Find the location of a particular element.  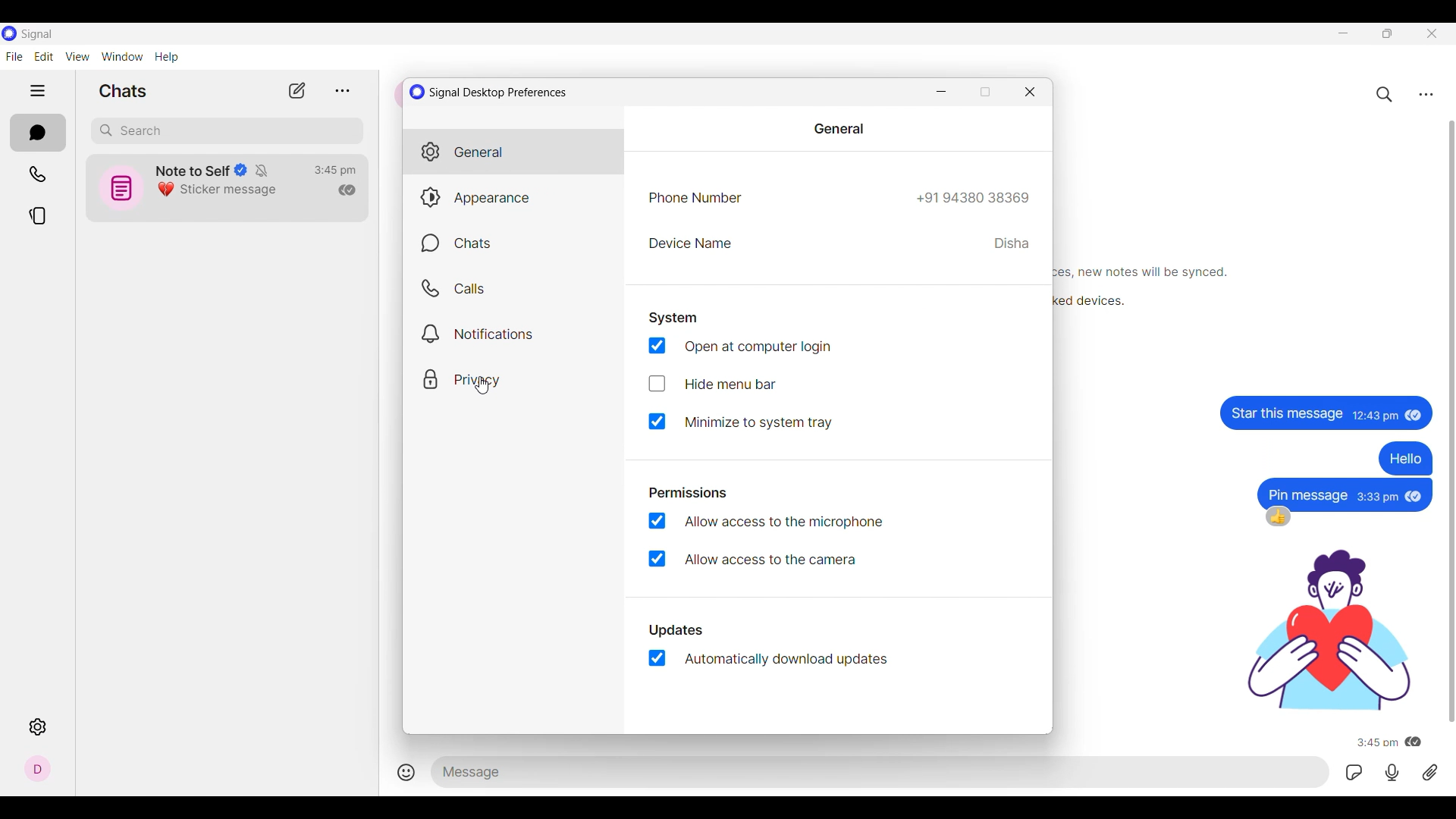

Time of  message is located at coordinates (1376, 742).